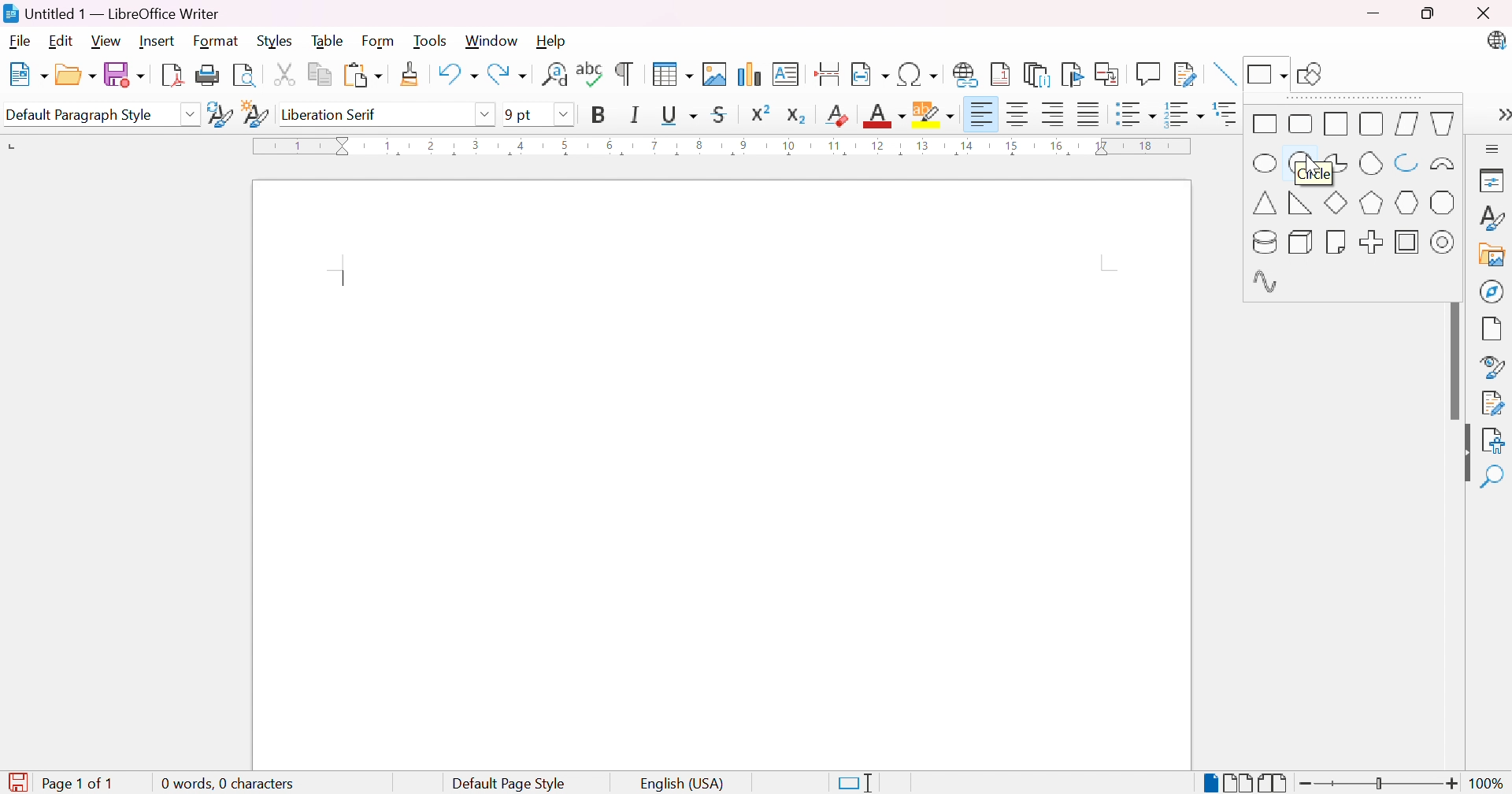  What do you see at coordinates (1266, 202) in the screenshot?
I see `Isosceles triangle` at bounding box center [1266, 202].